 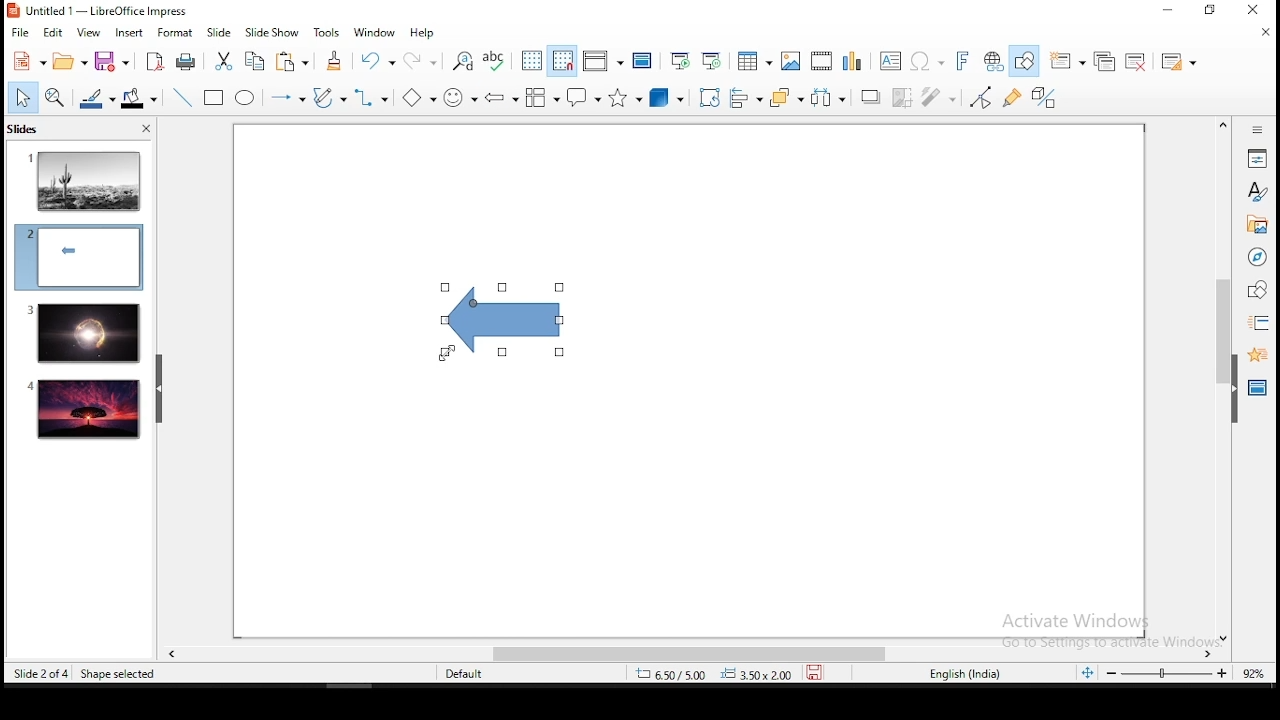 What do you see at coordinates (543, 99) in the screenshot?
I see `flowchart` at bounding box center [543, 99].